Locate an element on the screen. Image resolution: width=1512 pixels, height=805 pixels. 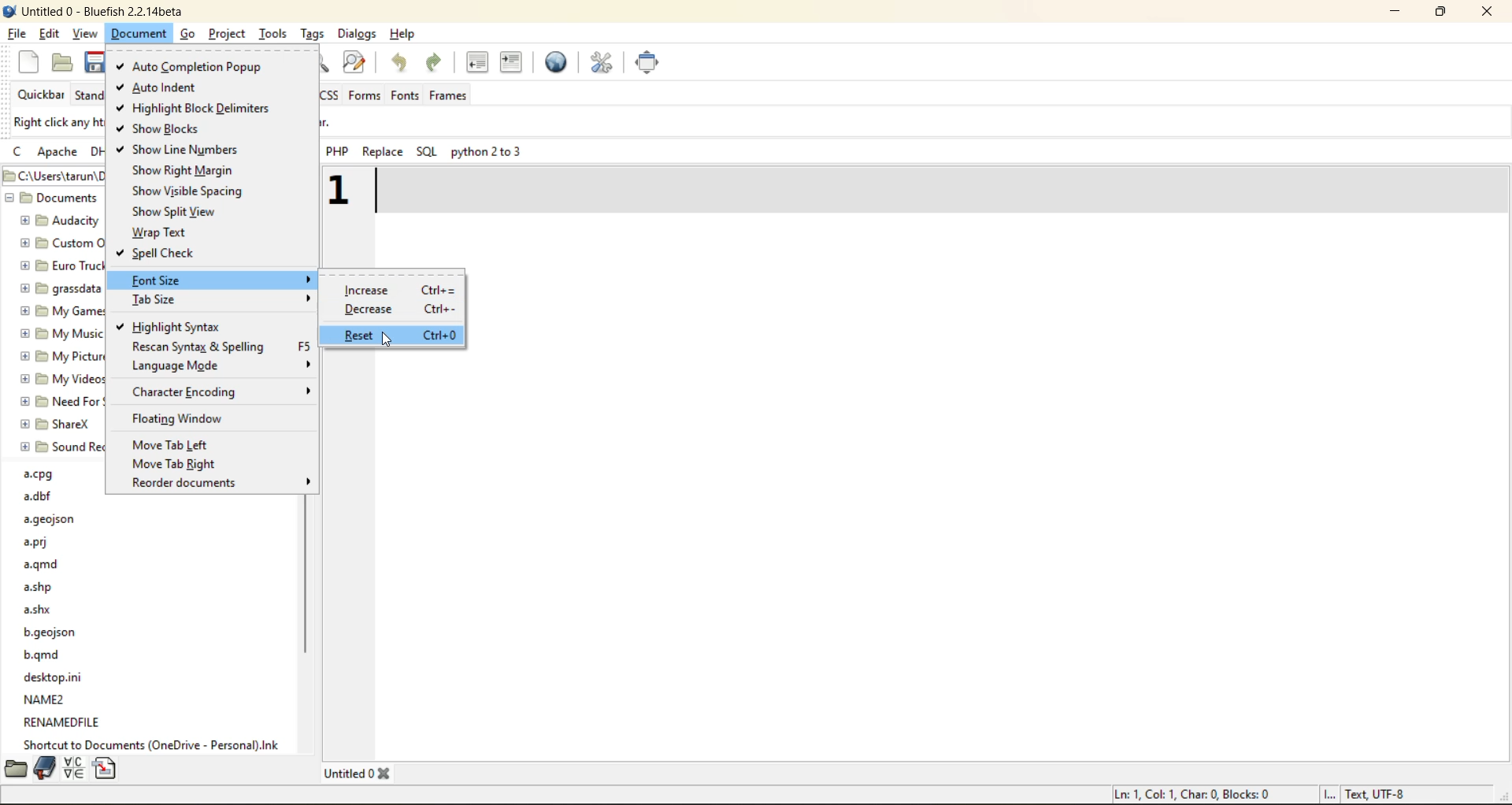
move tab right is located at coordinates (177, 465).